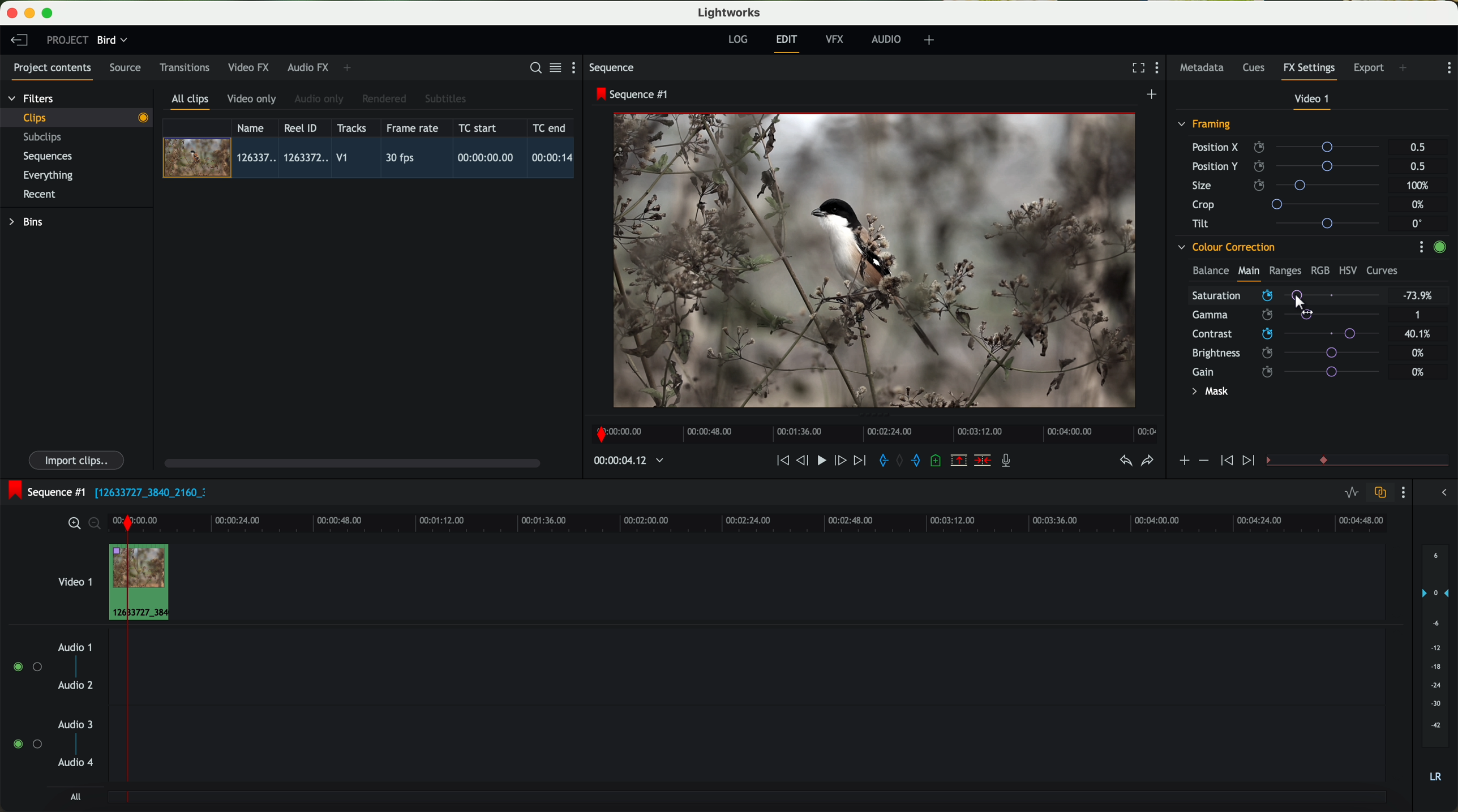 Image resolution: width=1458 pixels, height=812 pixels. Describe the element at coordinates (1420, 205) in the screenshot. I see `0%` at that location.